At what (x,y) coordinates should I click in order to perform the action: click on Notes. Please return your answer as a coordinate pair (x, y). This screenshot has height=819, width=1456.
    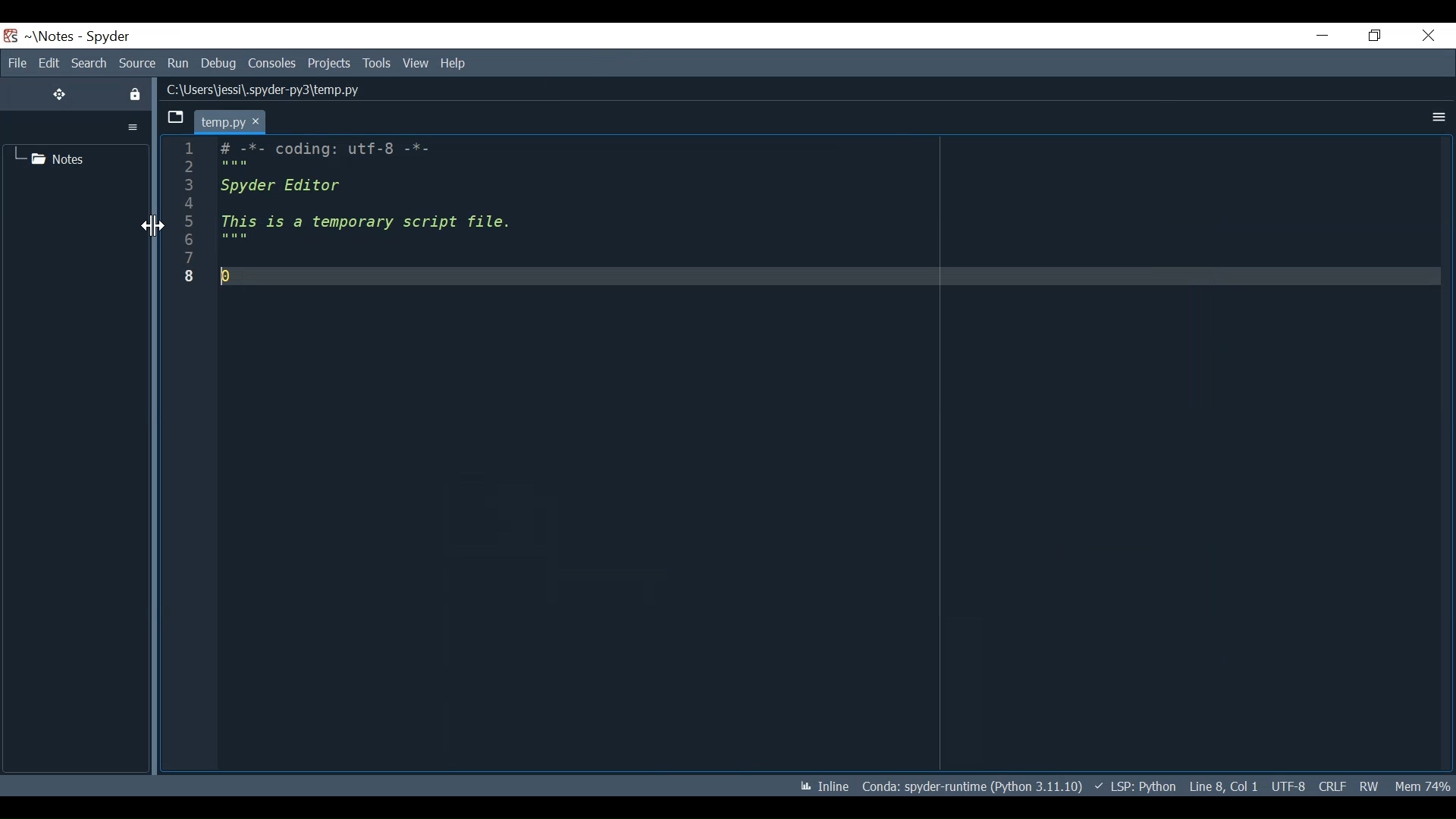
    Looking at the image, I should click on (51, 159).